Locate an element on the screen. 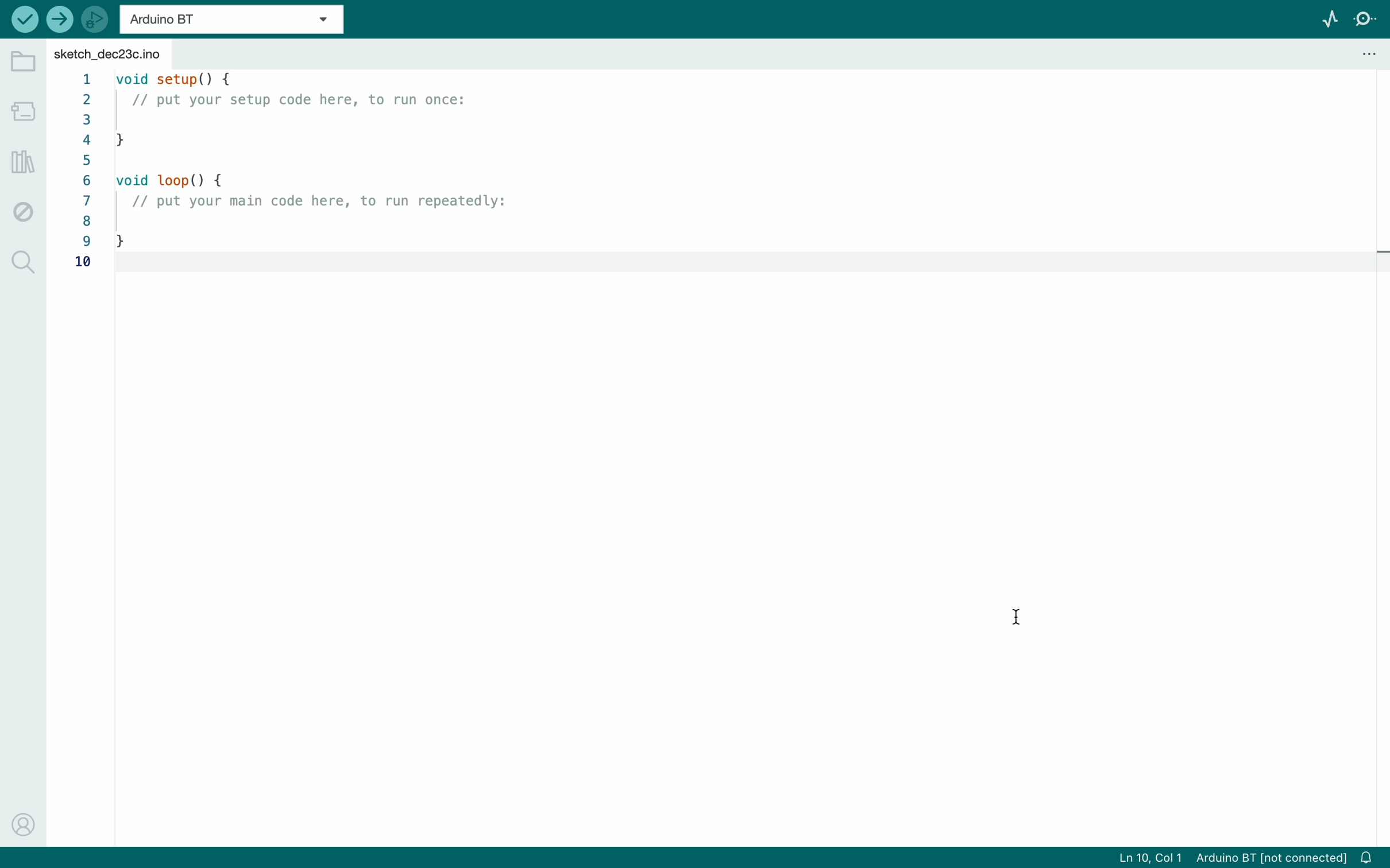 The image size is (1390, 868). board manager is located at coordinates (24, 111).